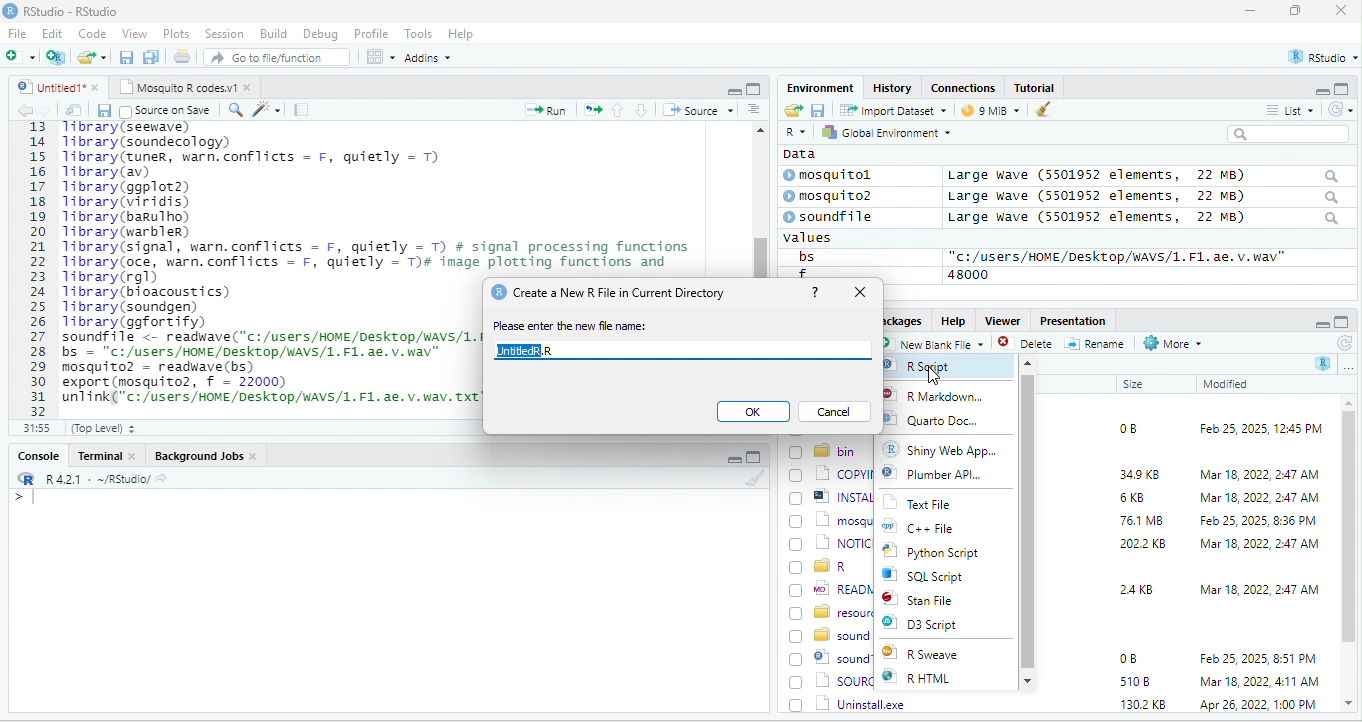 Image resolution: width=1362 pixels, height=722 pixels. What do you see at coordinates (302, 109) in the screenshot?
I see `note` at bounding box center [302, 109].